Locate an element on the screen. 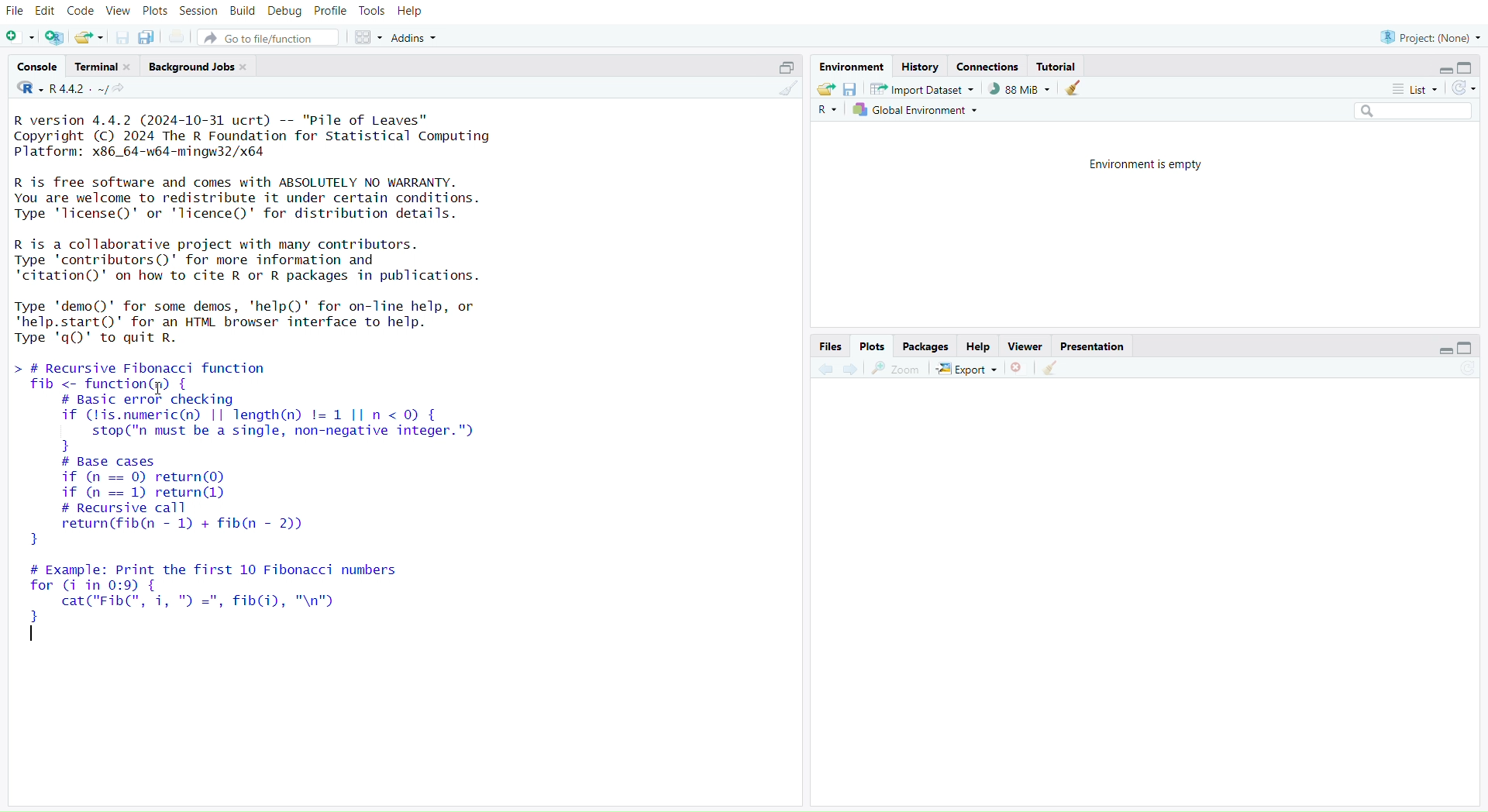 The height and width of the screenshot is (812, 1488). list is located at coordinates (1410, 91).